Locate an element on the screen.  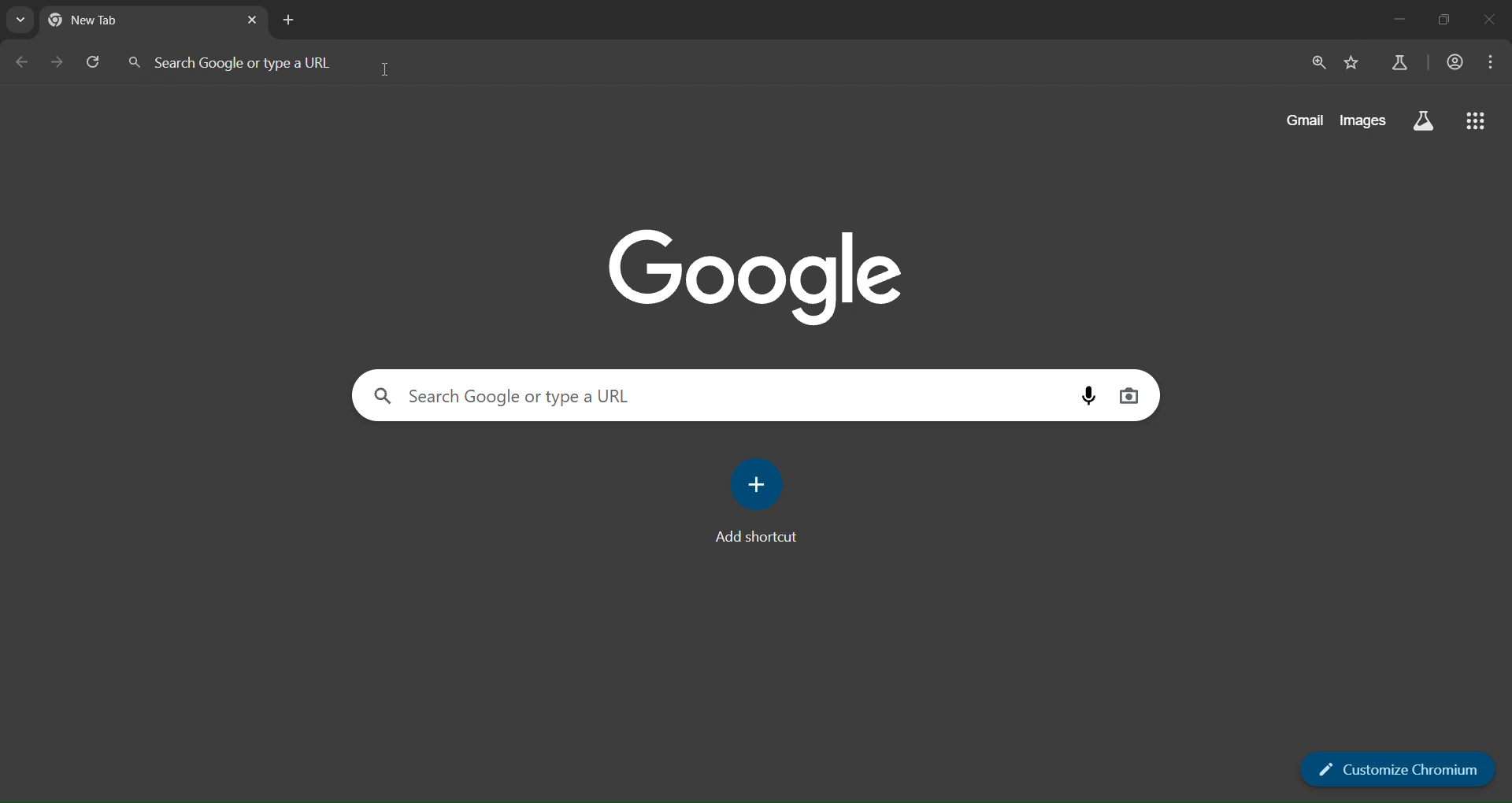
bookmark page is located at coordinates (1352, 65).